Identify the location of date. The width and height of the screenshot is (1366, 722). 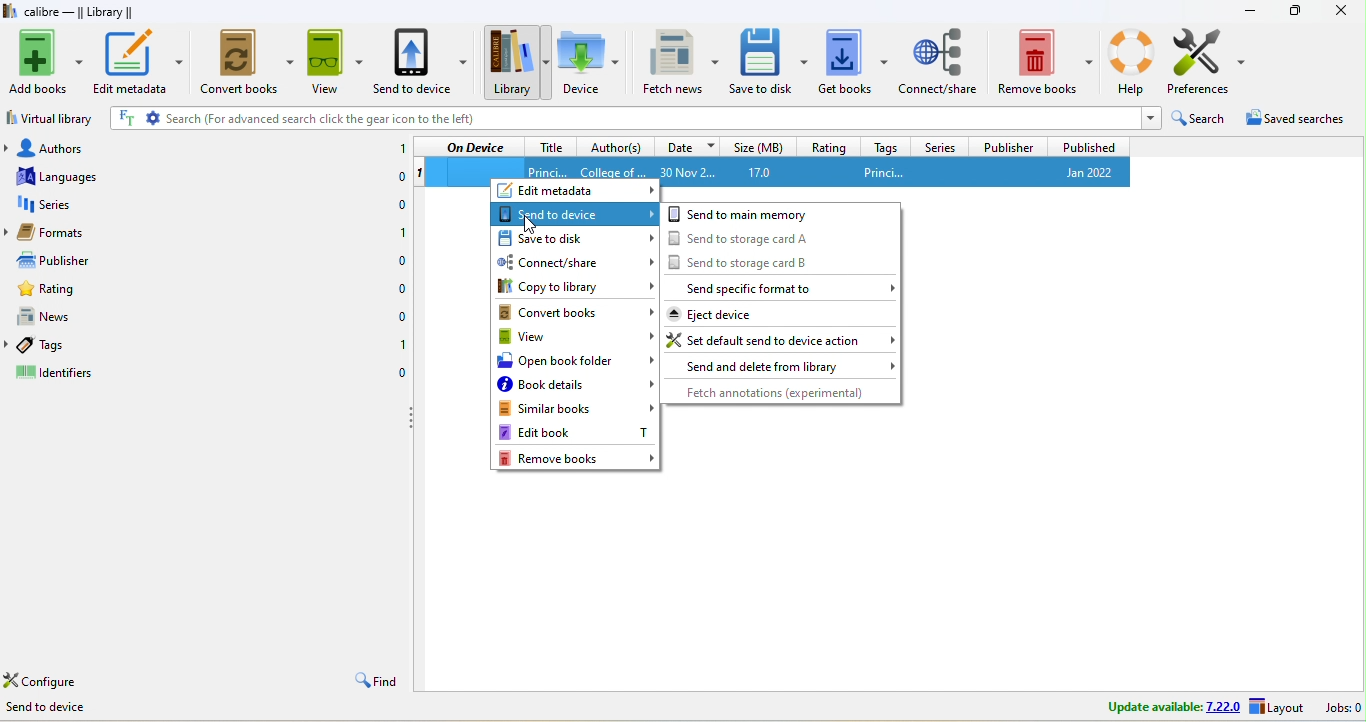
(686, 145).